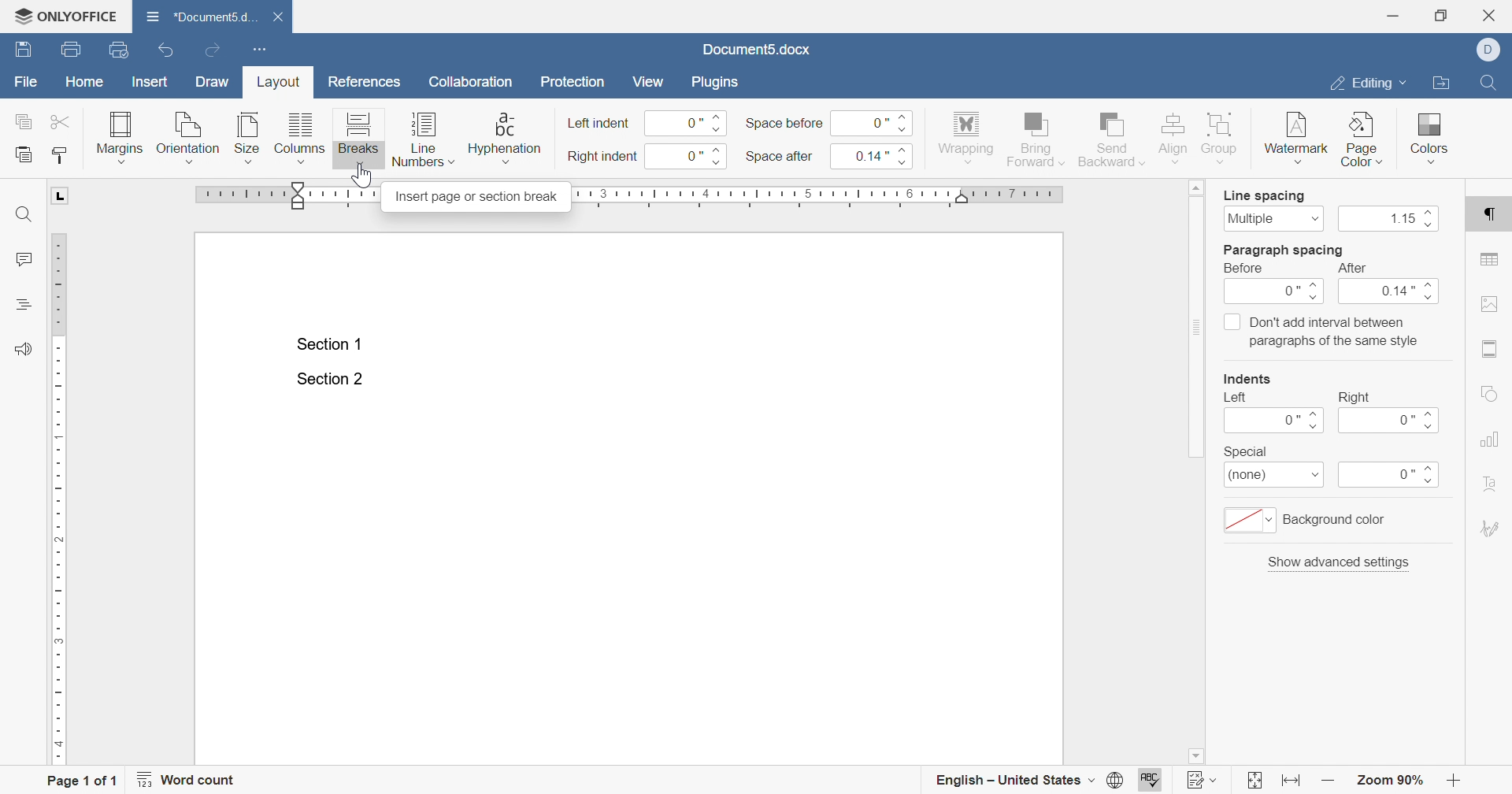 This screenshot has height=794, width=1512. I want to click on (none), so click(1275, 477).